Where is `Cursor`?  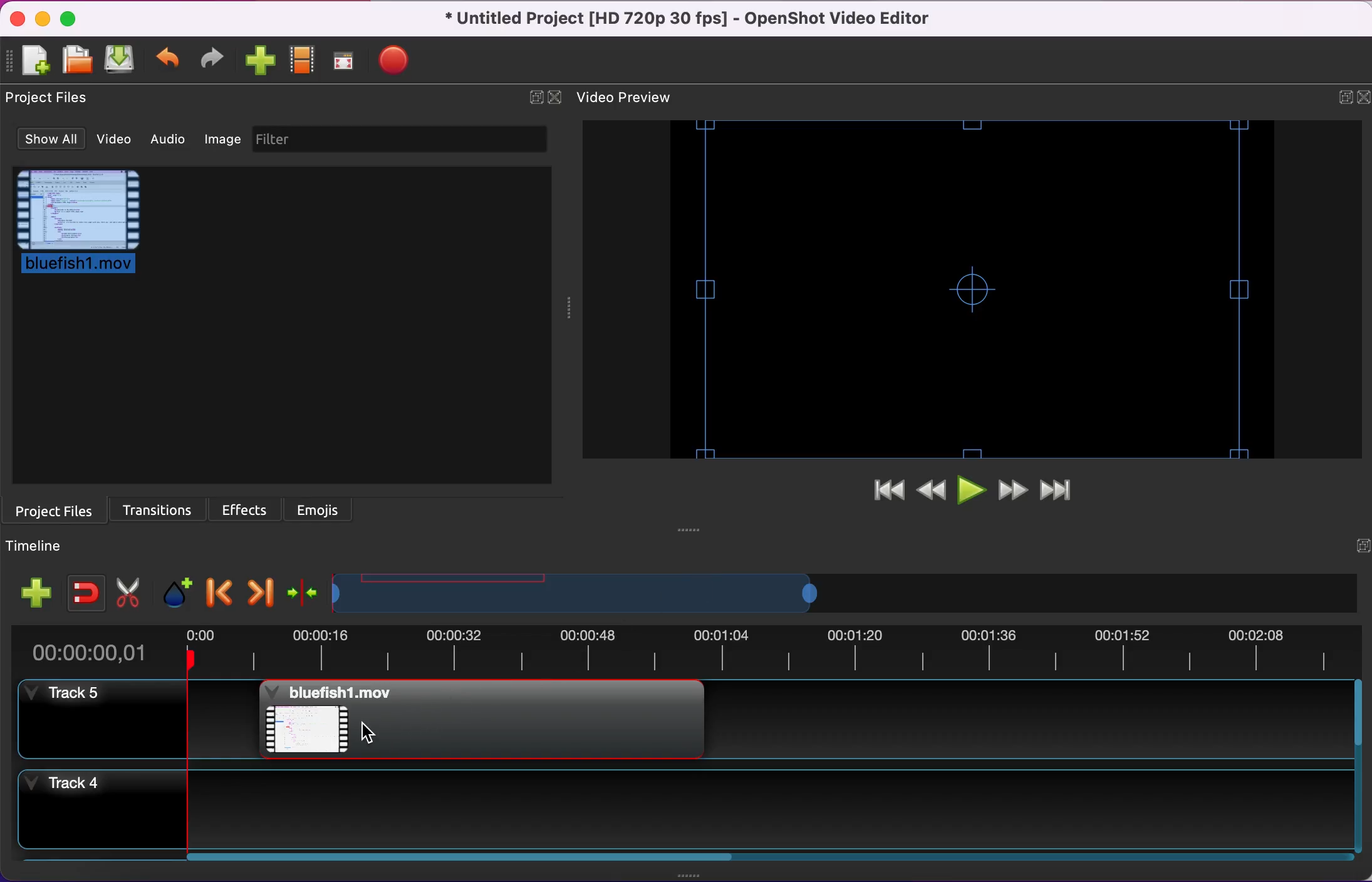 Cursor is located at coordinates (367, 732).